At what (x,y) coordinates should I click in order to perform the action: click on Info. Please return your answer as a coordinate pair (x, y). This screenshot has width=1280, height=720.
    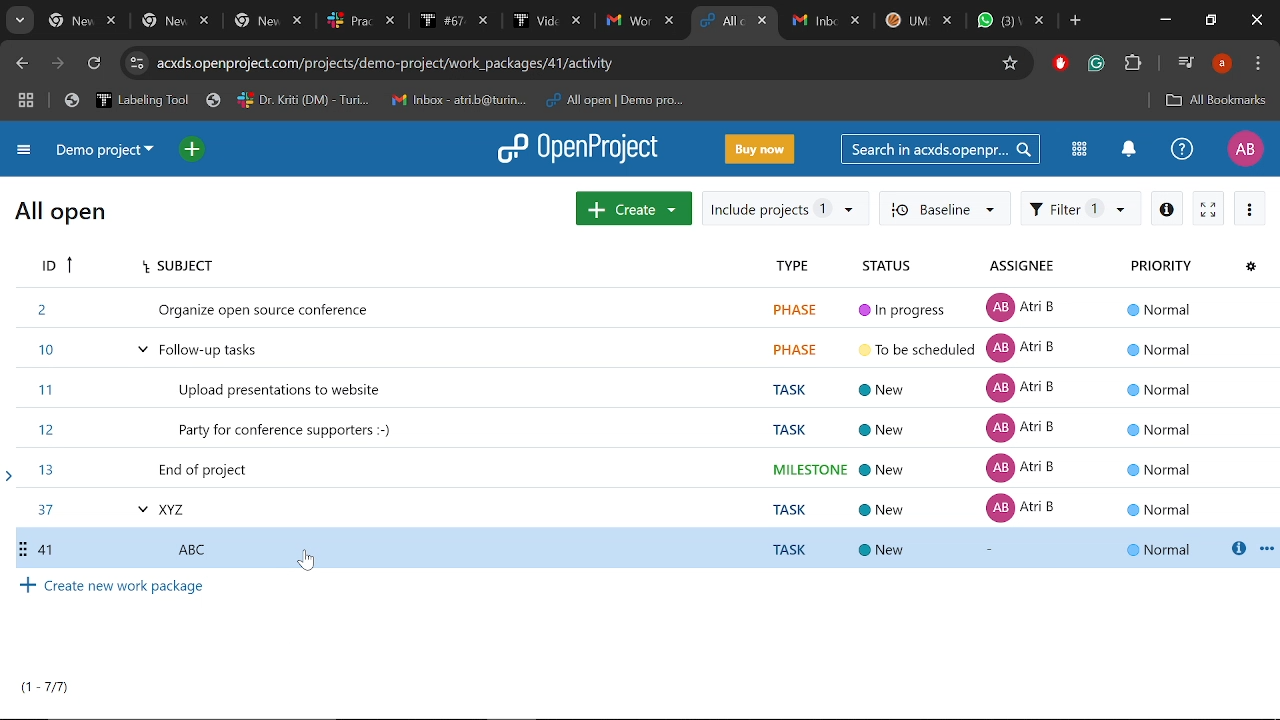
    Looking at the image, I should click on (1166, 209).